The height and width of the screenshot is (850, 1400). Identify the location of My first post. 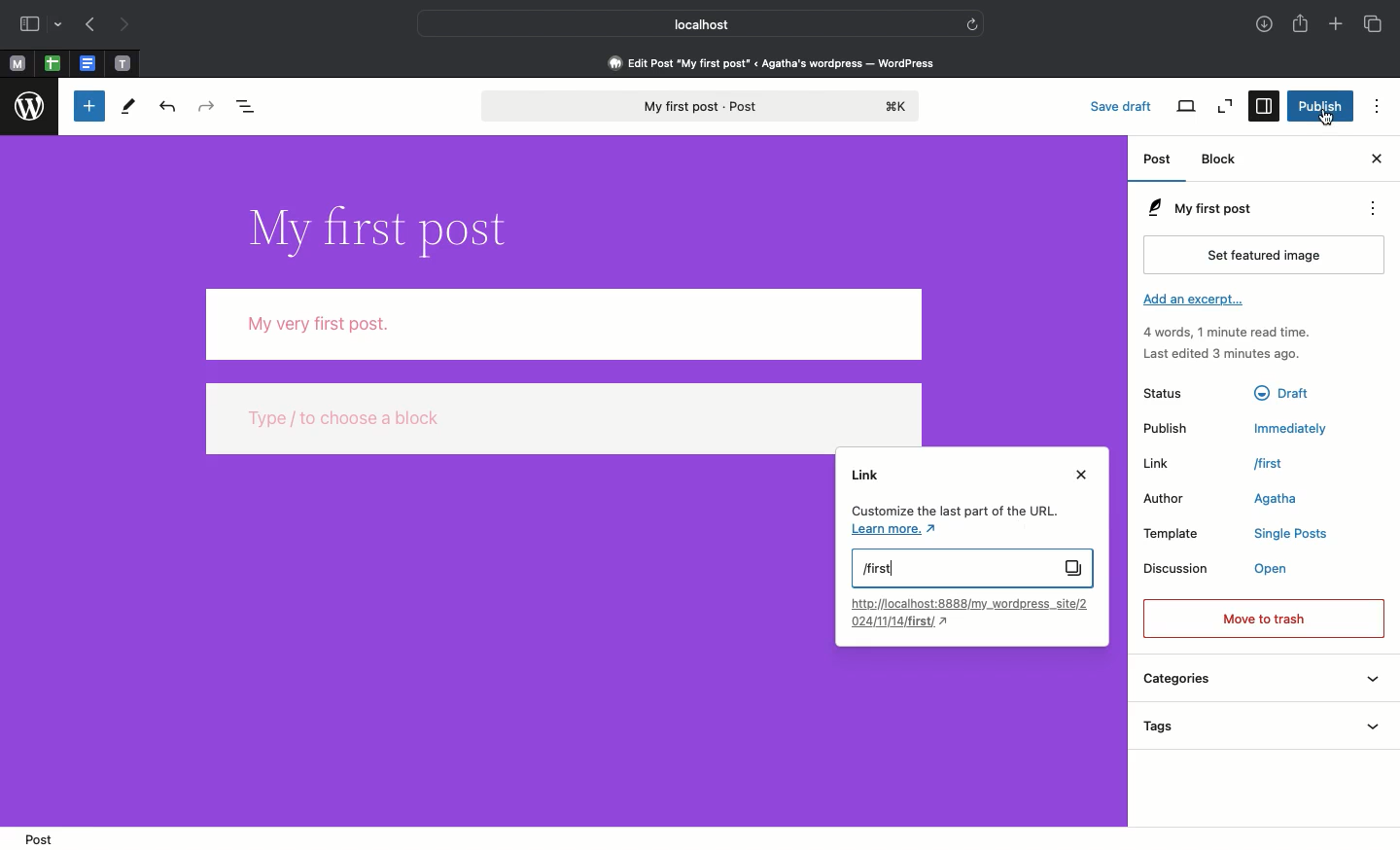
(971, 568).